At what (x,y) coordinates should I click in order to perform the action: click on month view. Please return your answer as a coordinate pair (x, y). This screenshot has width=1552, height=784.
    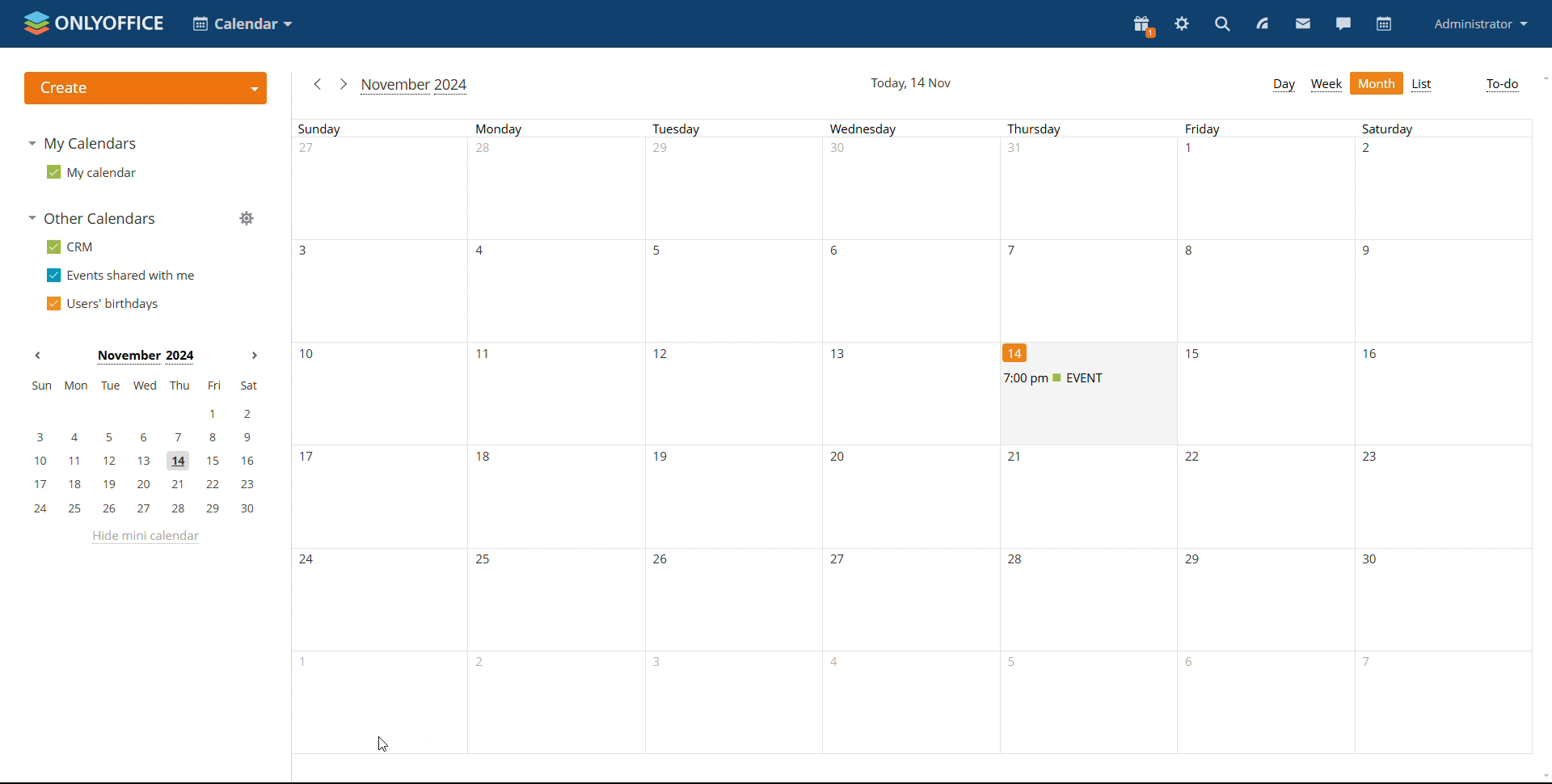
    Looking at the image, I should click on (1376, 83).